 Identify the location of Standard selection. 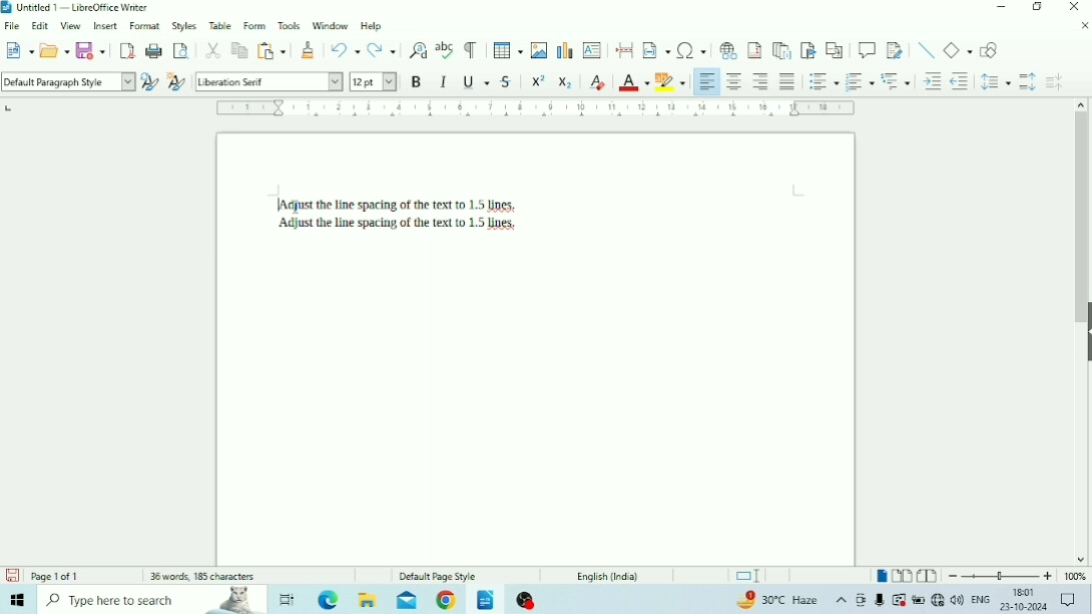
(751, 576).